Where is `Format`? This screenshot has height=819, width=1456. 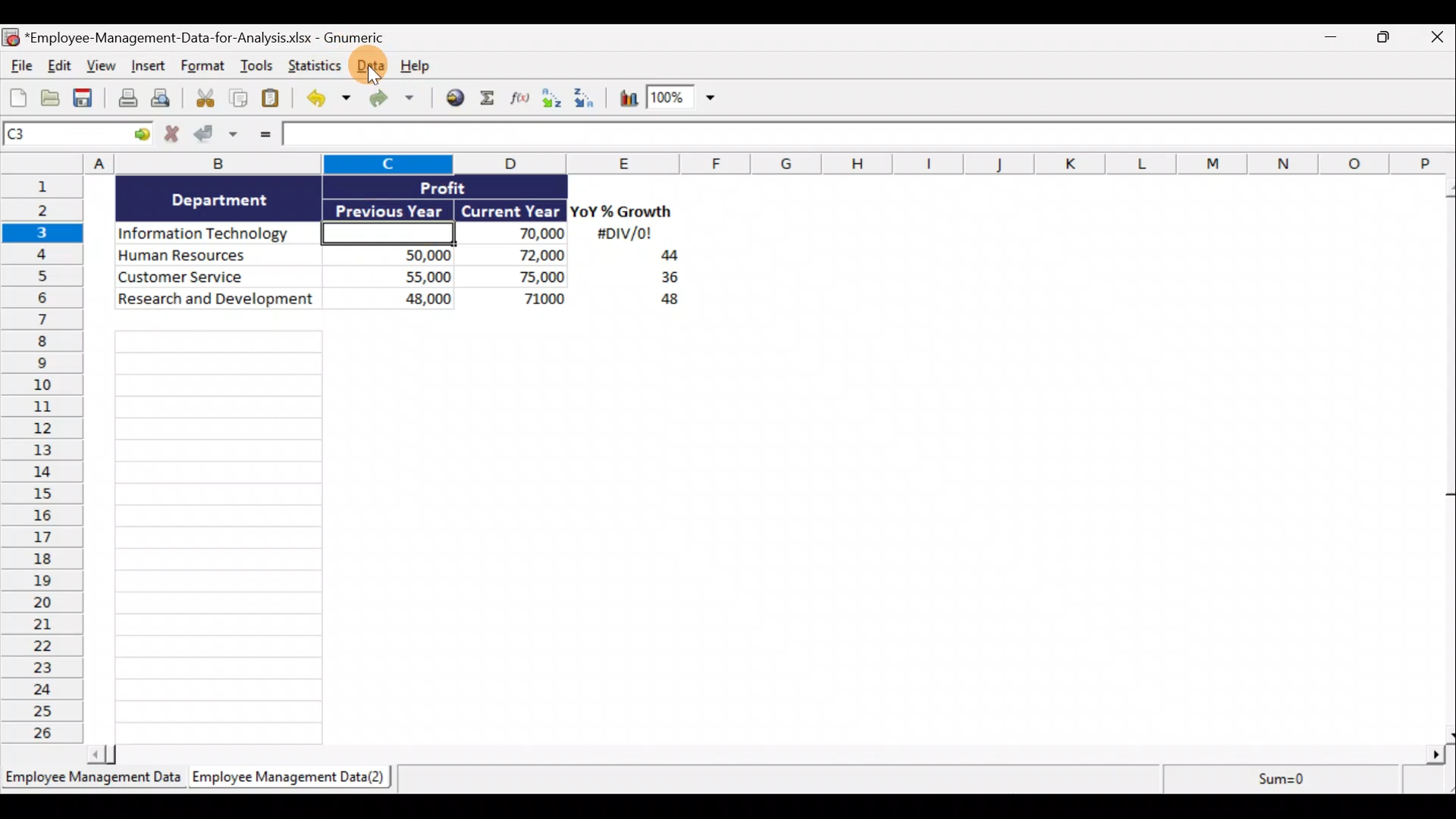 Format is located at coordinates (203, 68).